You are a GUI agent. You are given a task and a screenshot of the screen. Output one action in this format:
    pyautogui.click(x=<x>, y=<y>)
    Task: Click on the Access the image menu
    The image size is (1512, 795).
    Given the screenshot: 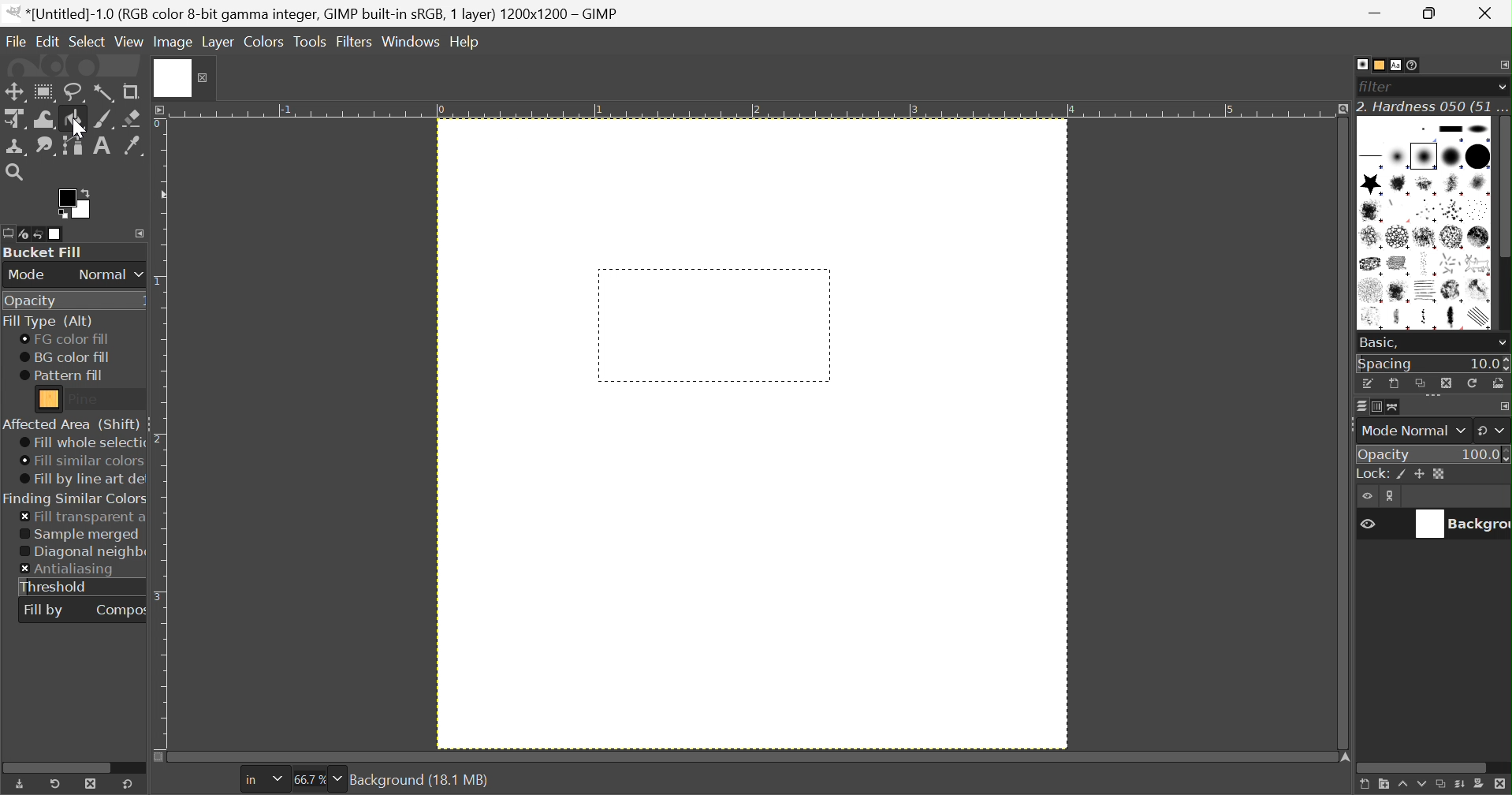 What is the action you would take?
    pyautogui.click(x=162, y=109)
    